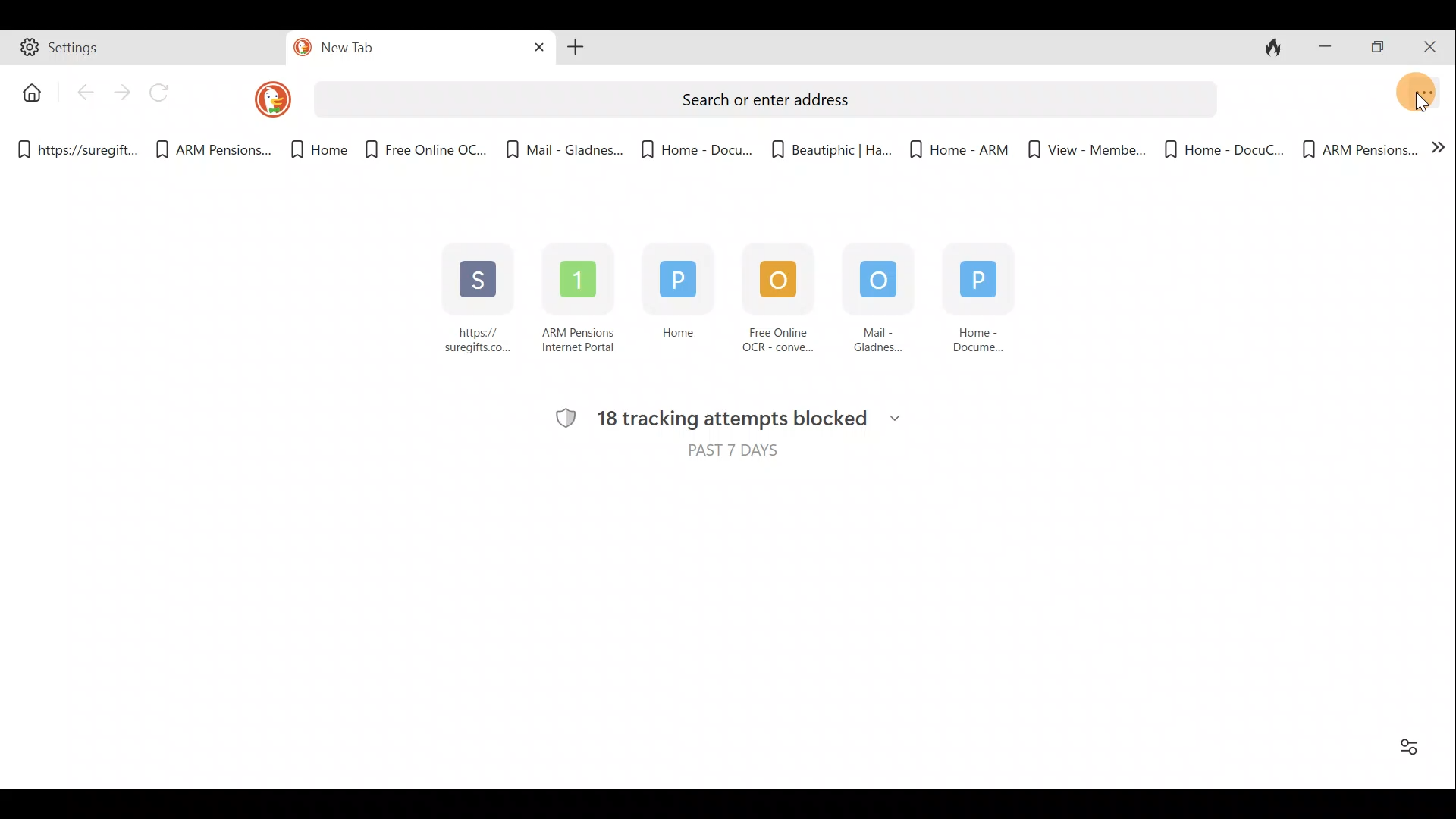 The width and height of the screenshot is (1456, 819). What do you see at coordinates (1426, 101) in the screenshot?
I see `Cursor` at bounding box center [1426, 101].